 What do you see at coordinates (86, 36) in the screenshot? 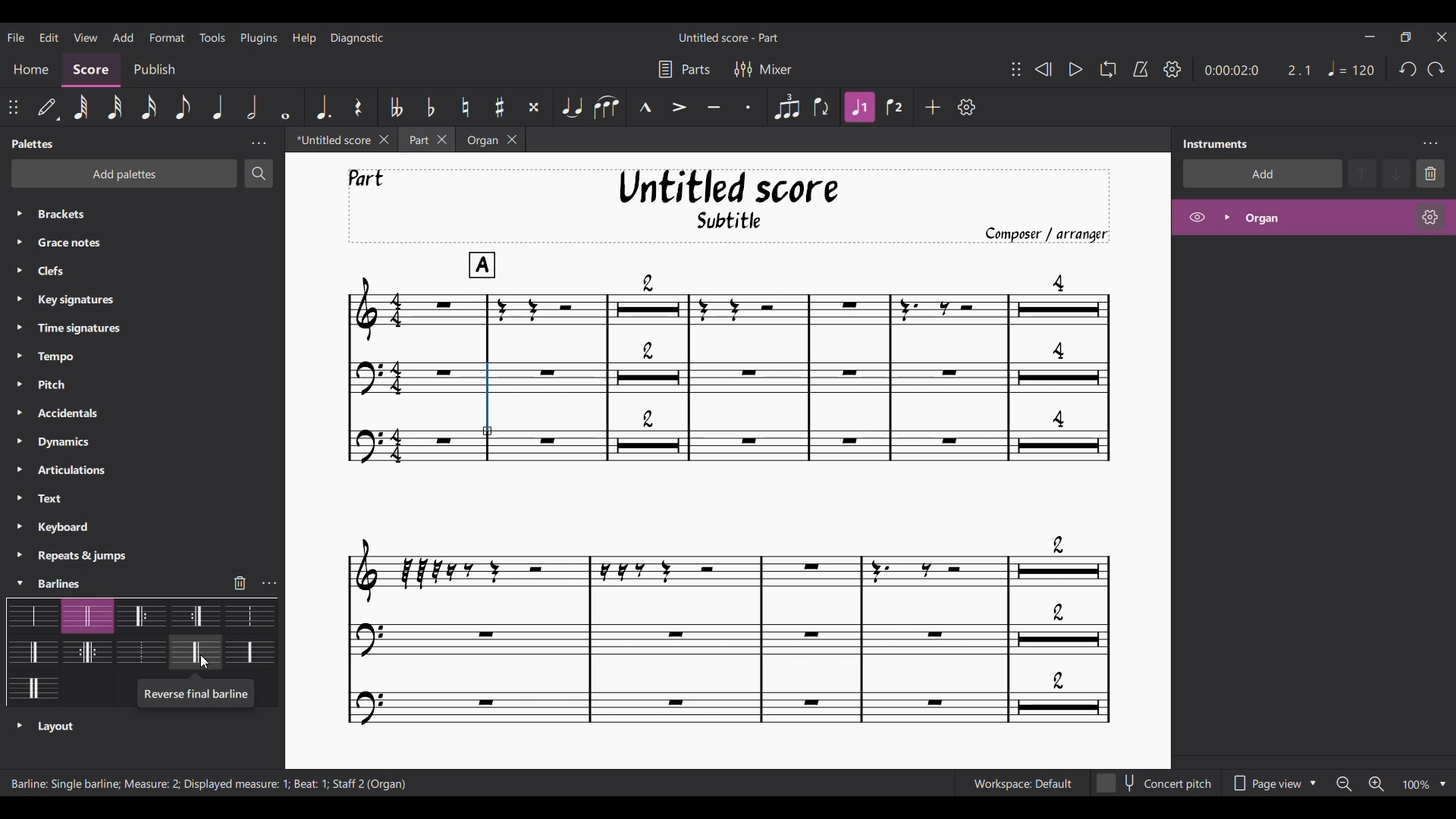
I see `View menu` at bounding box center [86, 36].